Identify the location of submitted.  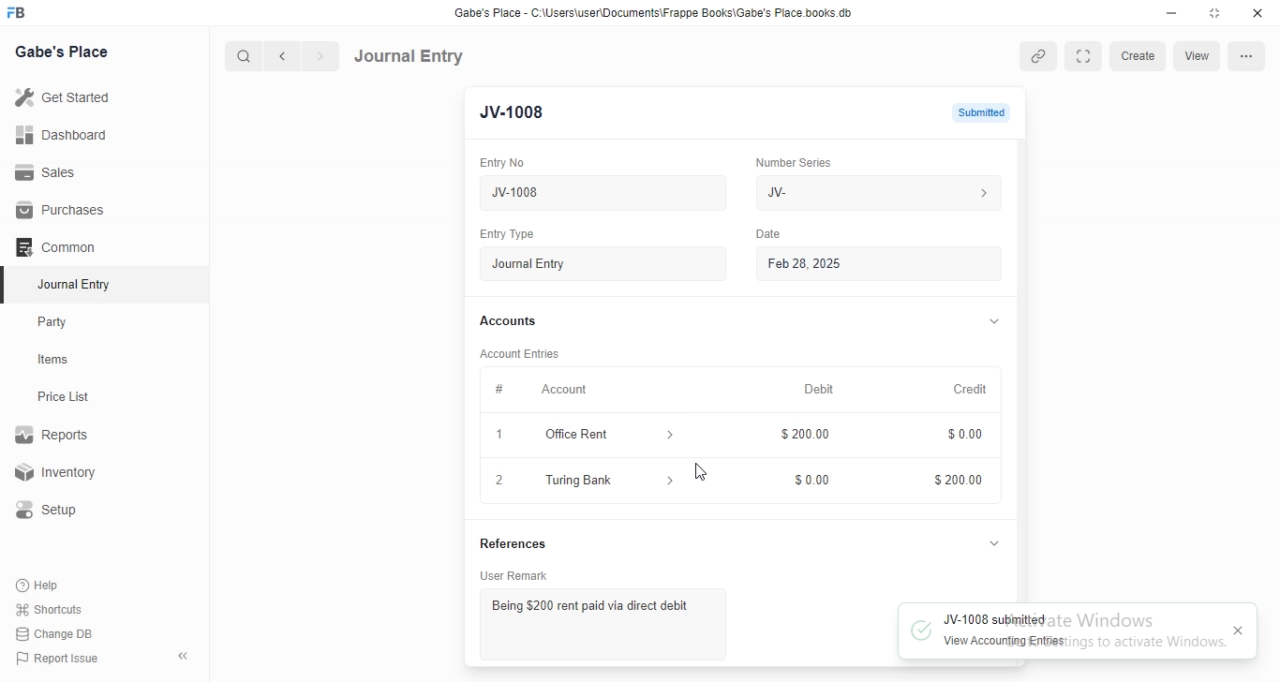
(983, 112).